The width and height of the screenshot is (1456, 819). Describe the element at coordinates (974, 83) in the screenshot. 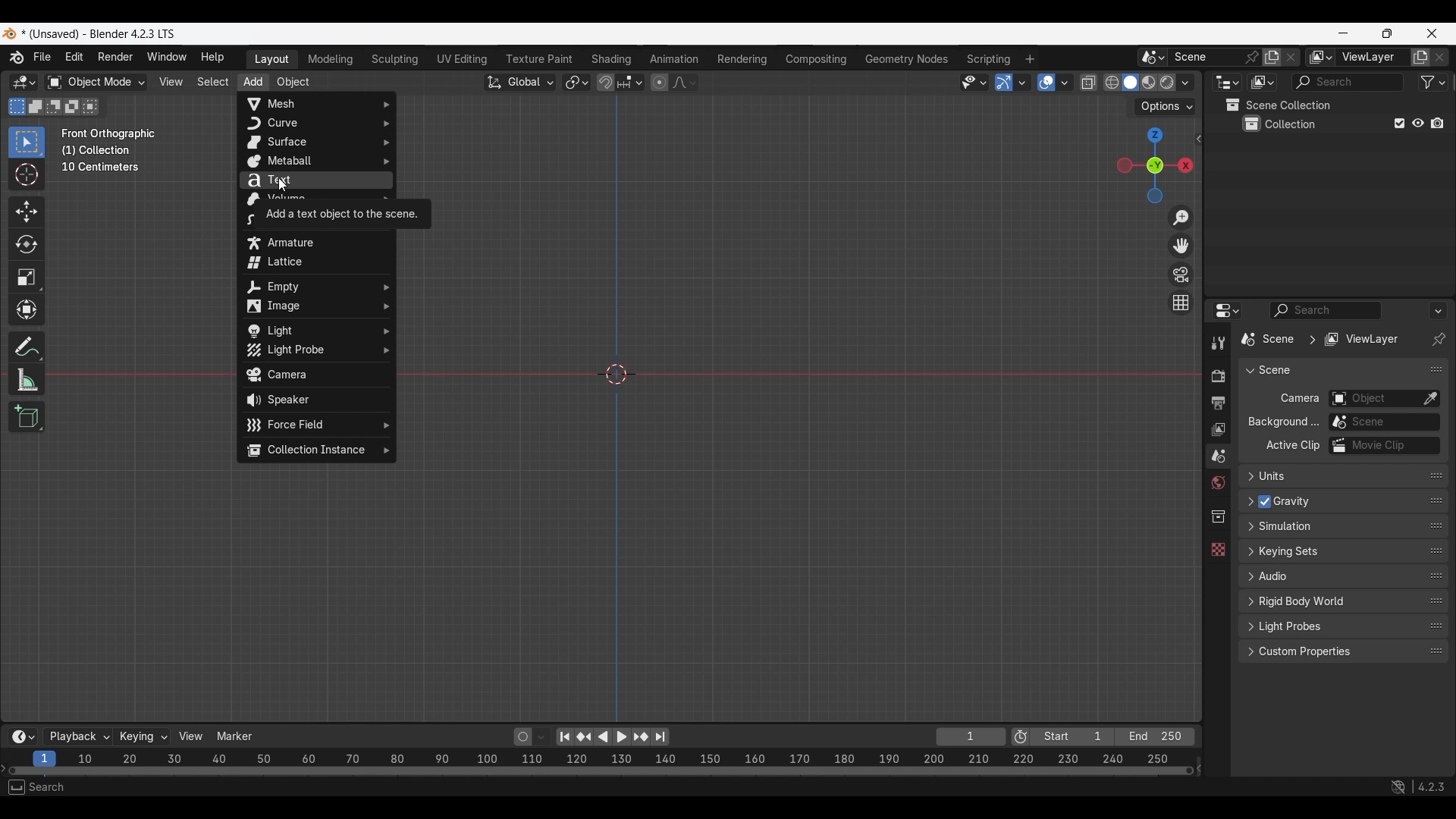

I see `Selectability and visibility` at that location.